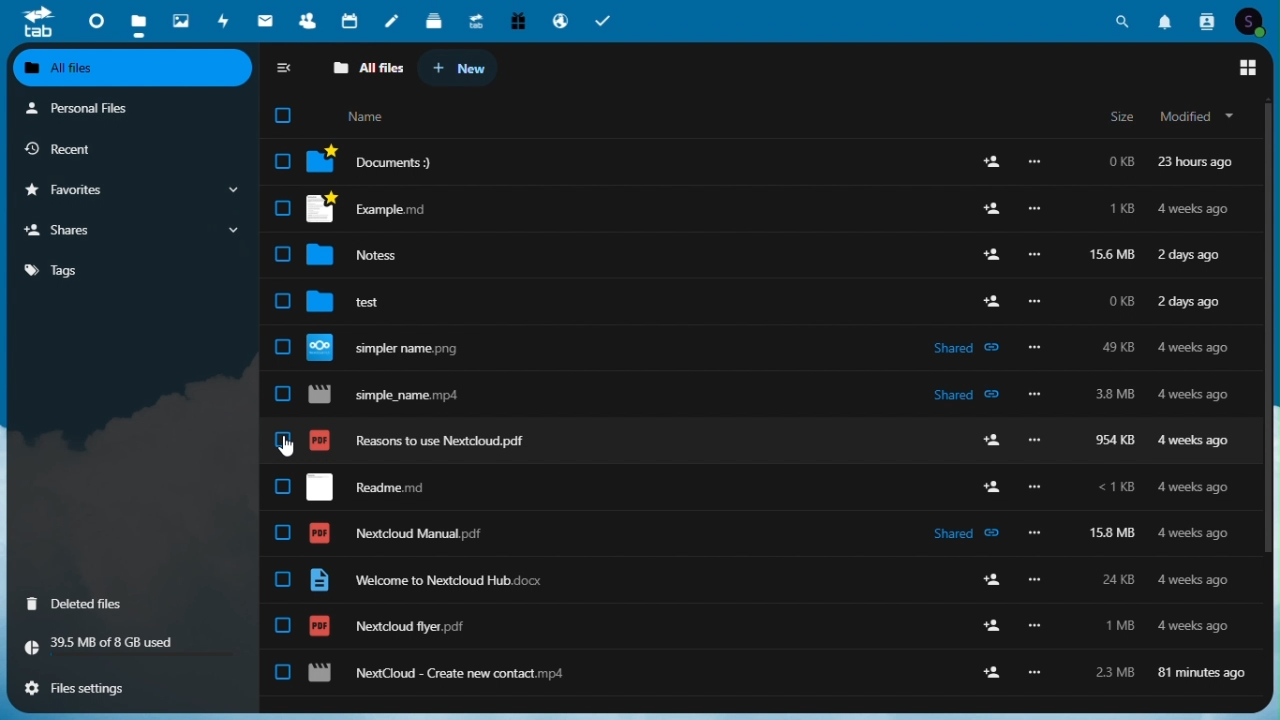 This screenshot has height=720, width=1280. What do you see at coordinates (1116, 397) in the screenshot?
I see `3.8mb` at bounding box center [1116, 397].